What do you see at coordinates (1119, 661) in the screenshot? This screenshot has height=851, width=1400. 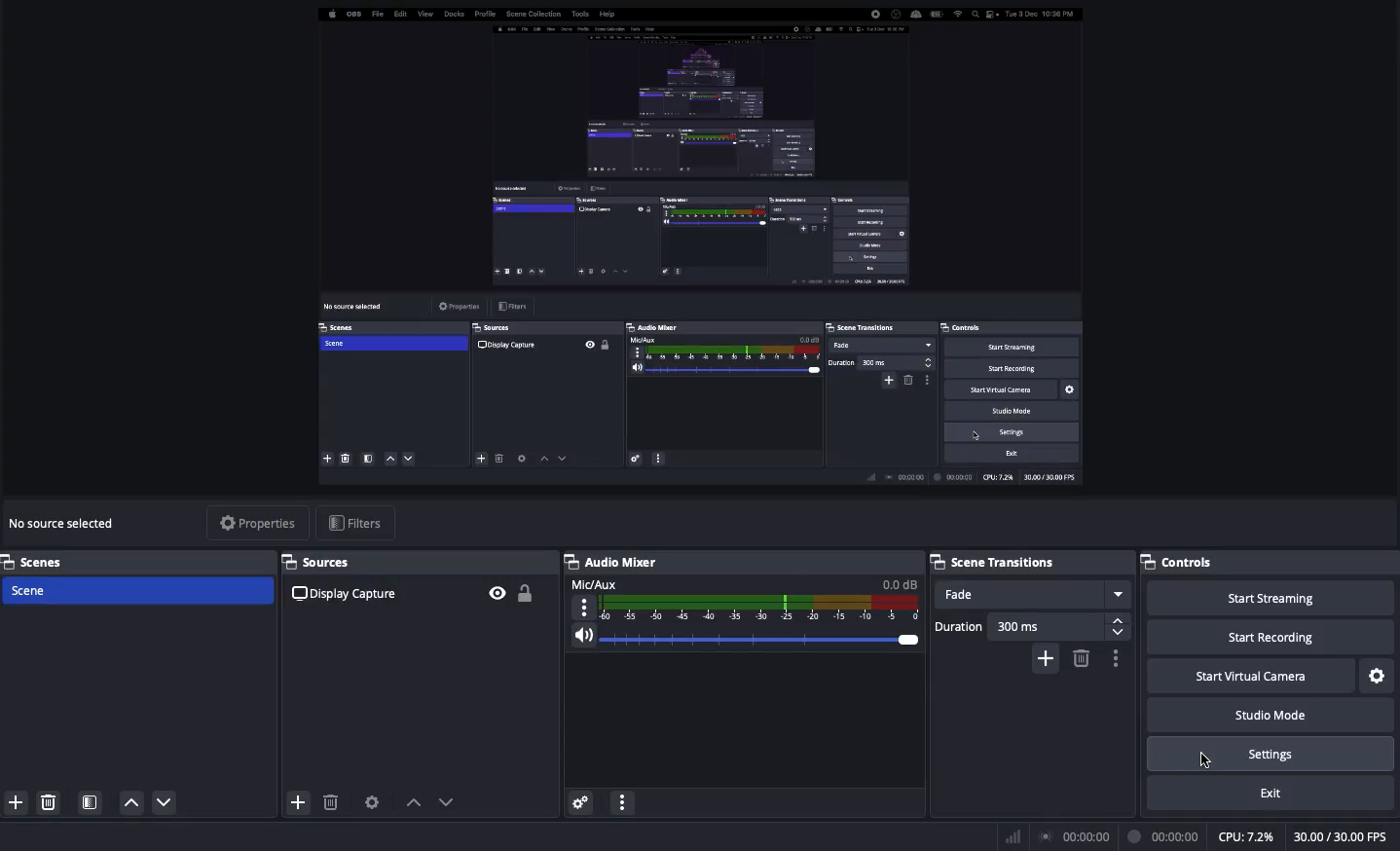 I see `Options` at bounding box center [1119, 661].